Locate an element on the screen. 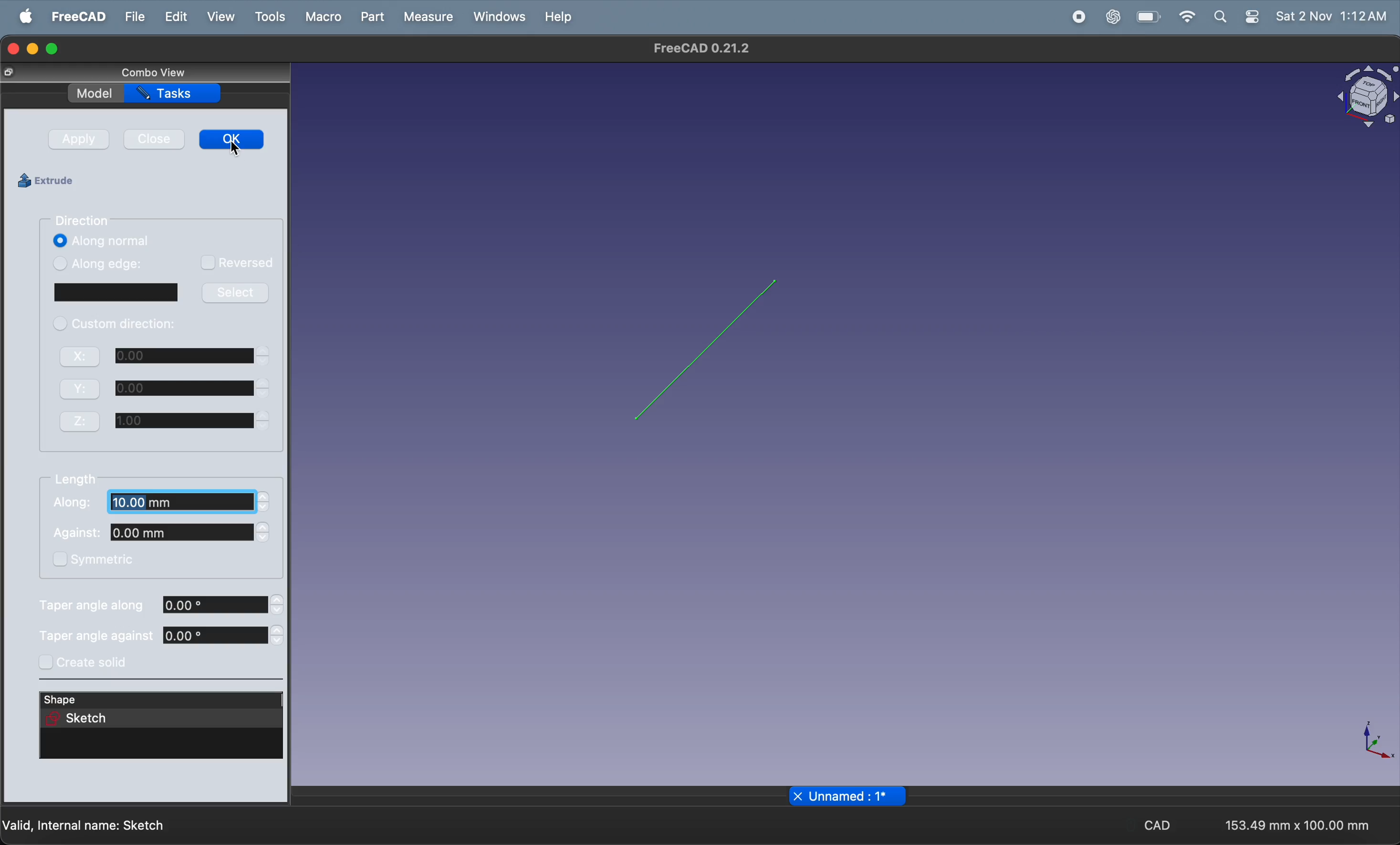 The image size is (1400, 845). ok is located at coordinates (233, 140).